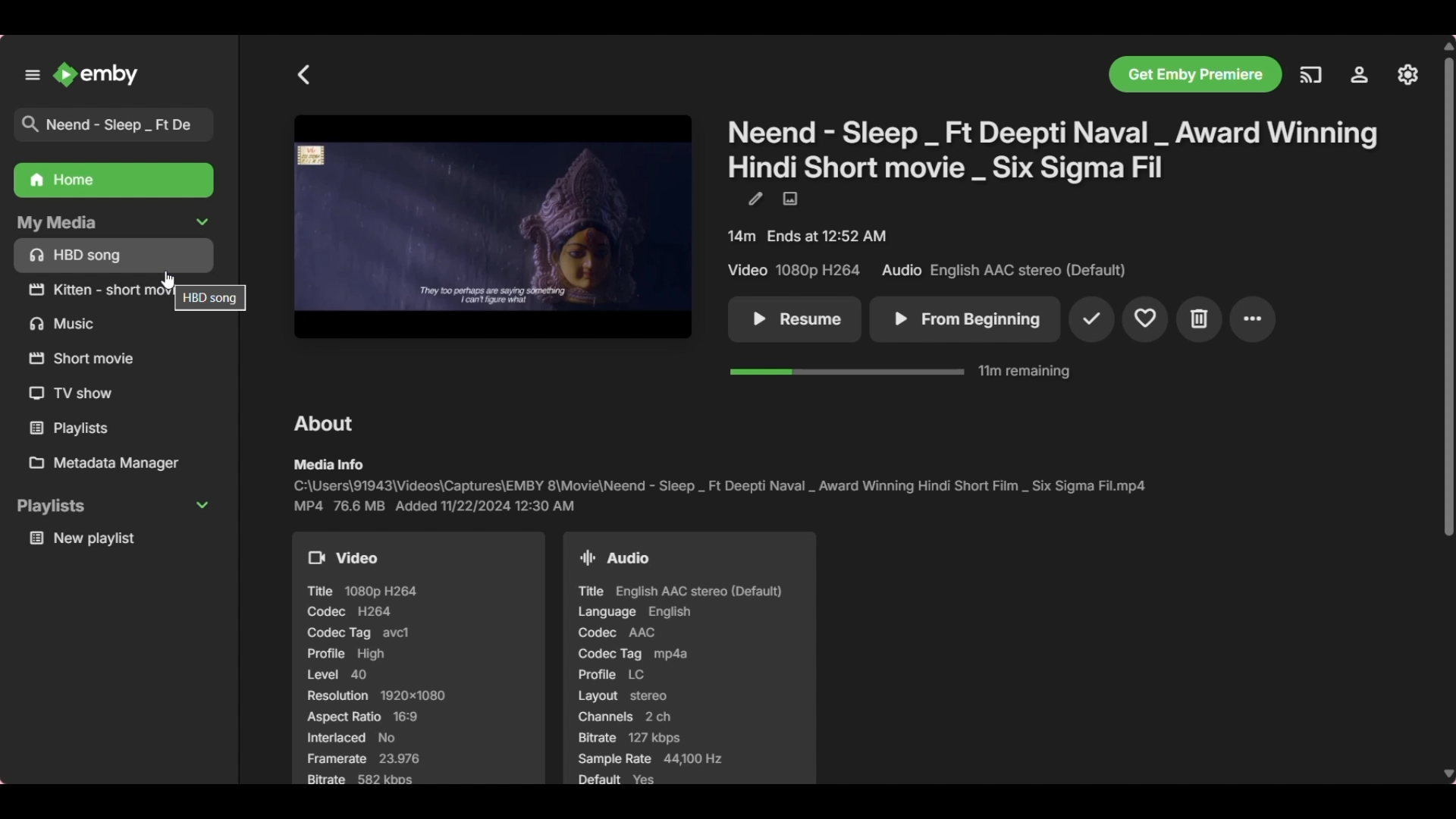 This screenshot has width=1456, height=819. Describe the element at coordinates (112, 180) in the screenshot. I see `Home folder, current selection, highlighted` at that location.